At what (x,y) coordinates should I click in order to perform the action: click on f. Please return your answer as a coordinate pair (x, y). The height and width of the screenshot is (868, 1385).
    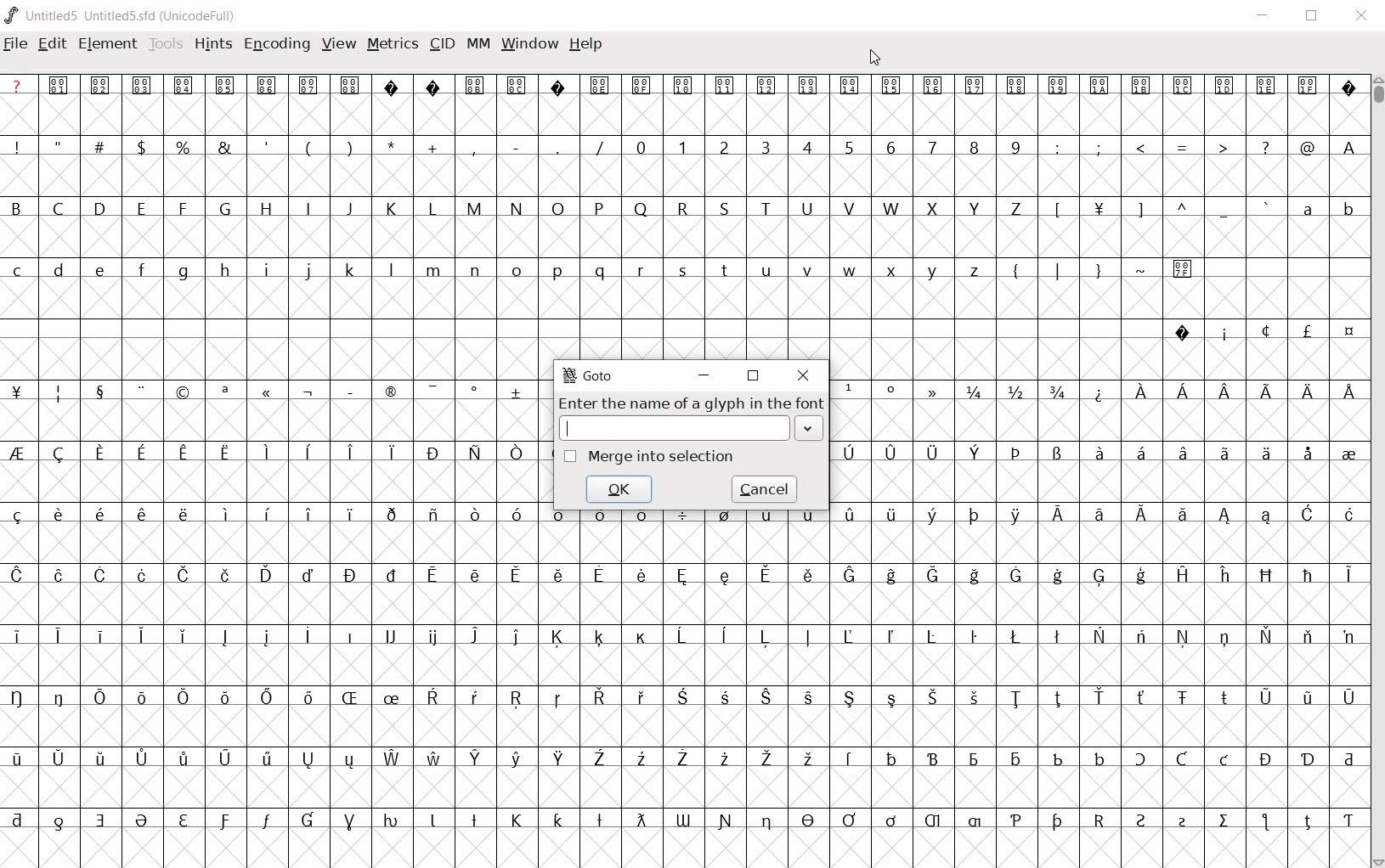
    Looking at the image, I should click on (141, 273).